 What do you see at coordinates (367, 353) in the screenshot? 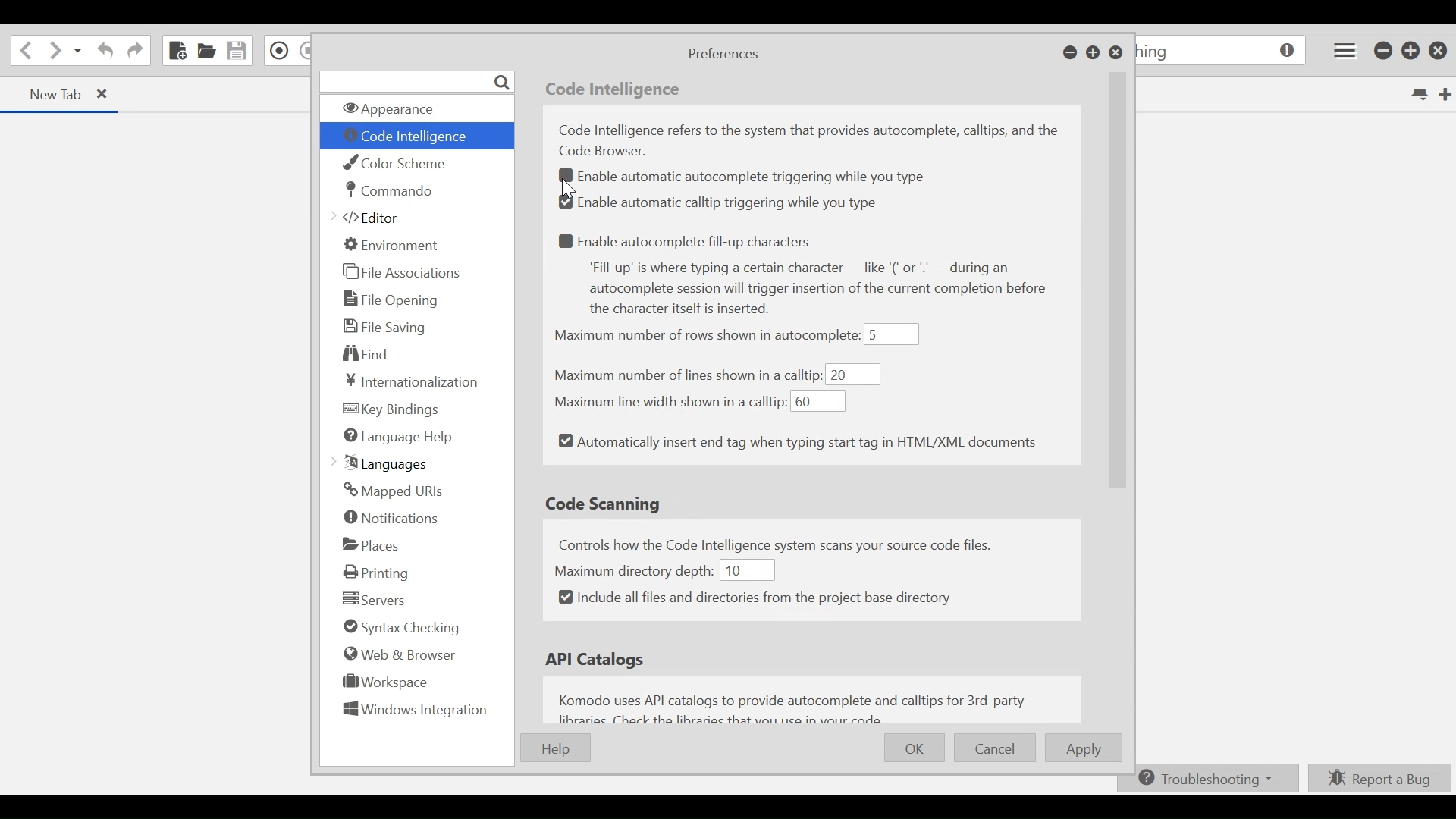
I see `Find` at bounding box center [367, 353].